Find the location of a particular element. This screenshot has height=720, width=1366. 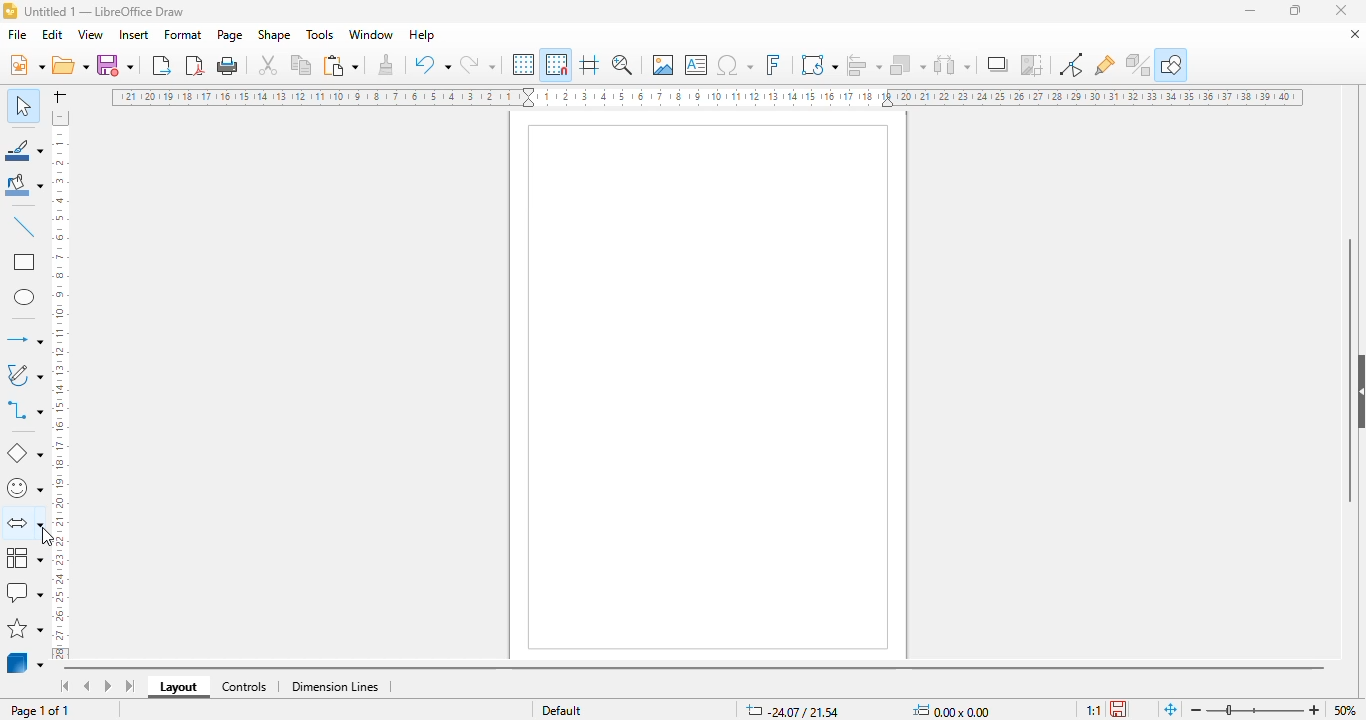

export is located at coordinates (163, 65).